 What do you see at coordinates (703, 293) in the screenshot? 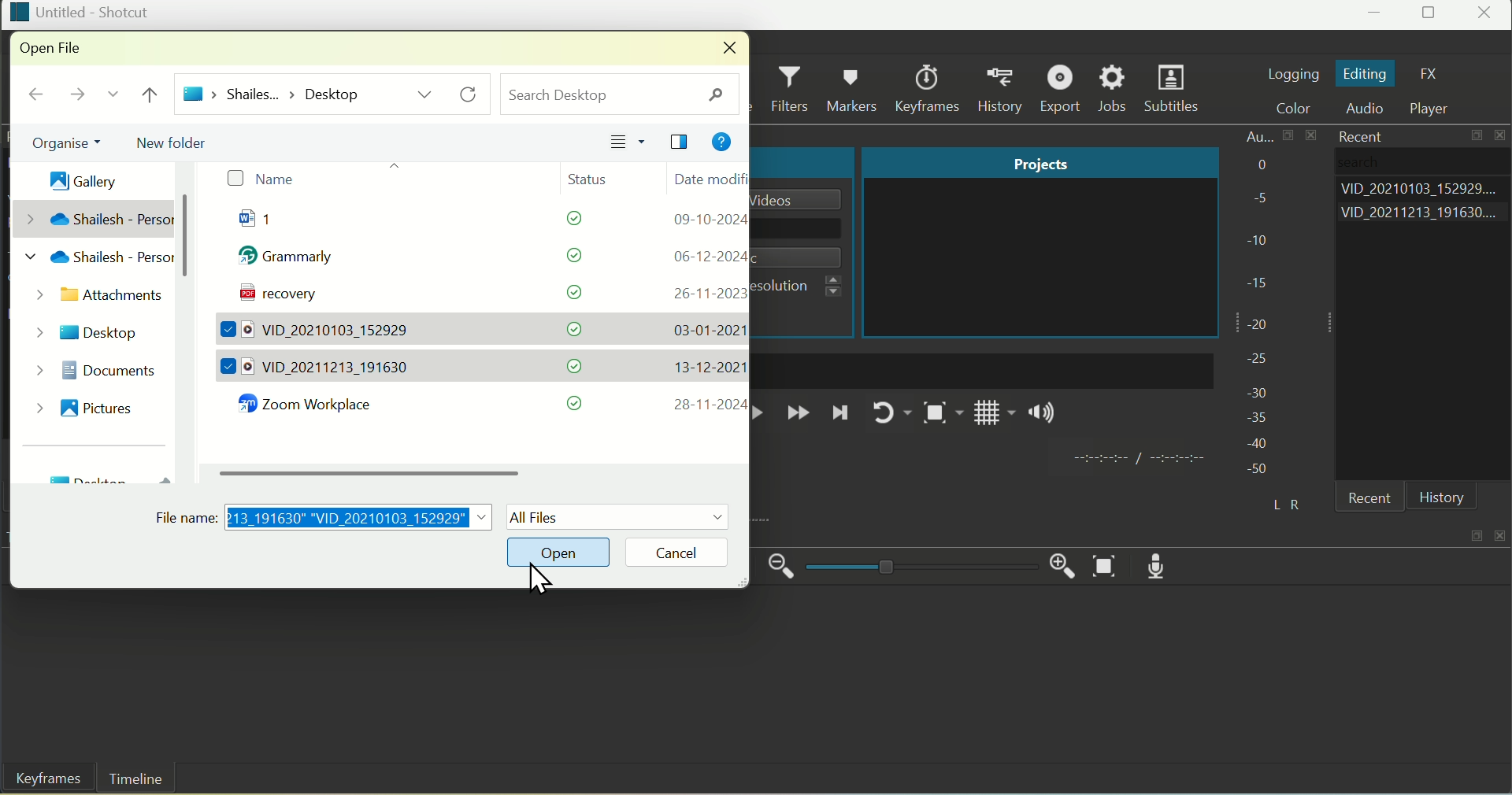
I see `date` at bounding box center [703, 293].